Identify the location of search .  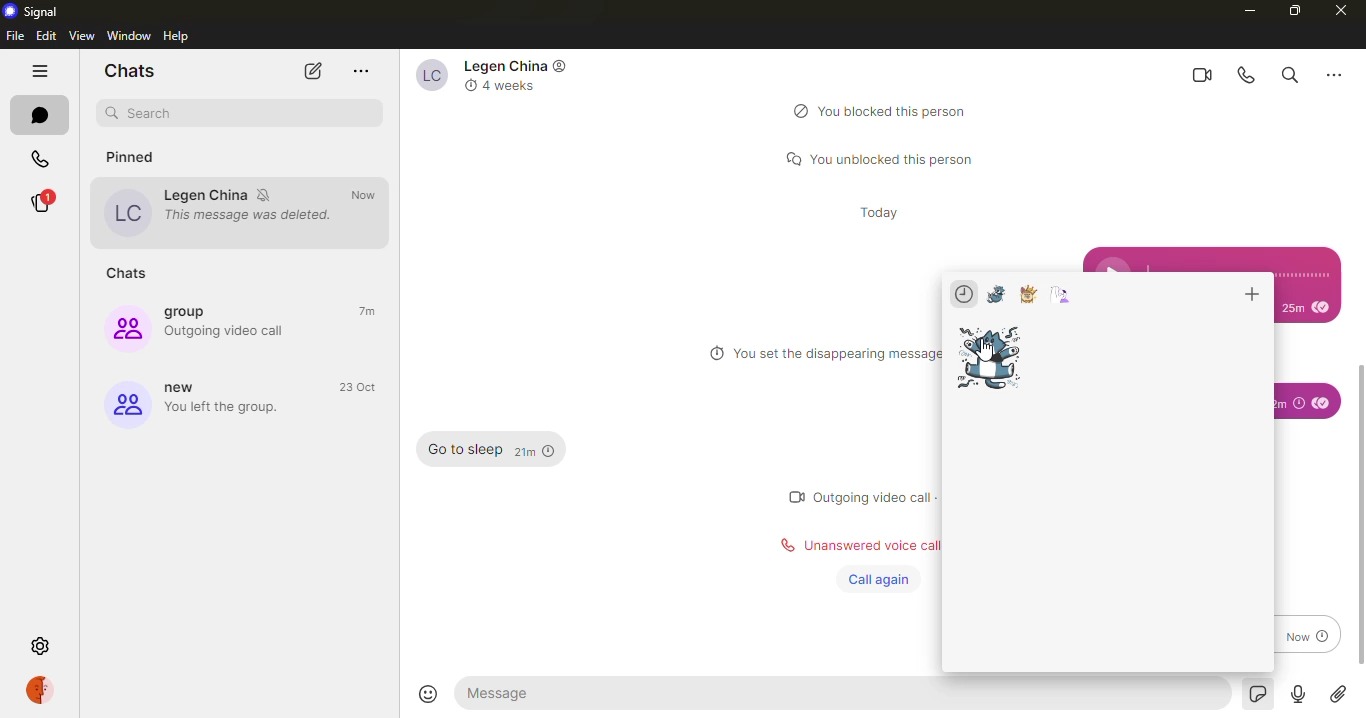
(243, 115).